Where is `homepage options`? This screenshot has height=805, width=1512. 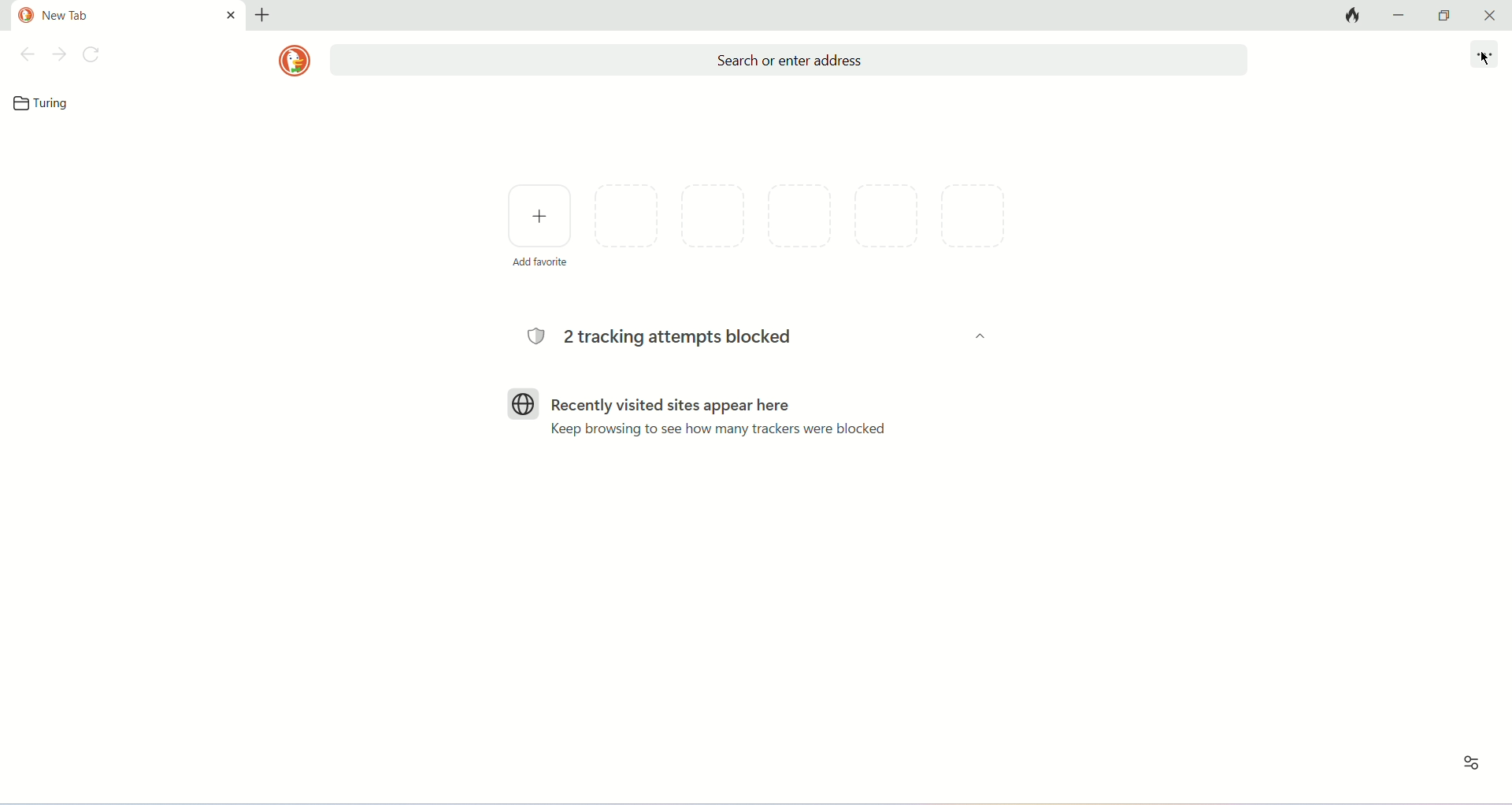 homepage options is located at coordinates (1472, 763).